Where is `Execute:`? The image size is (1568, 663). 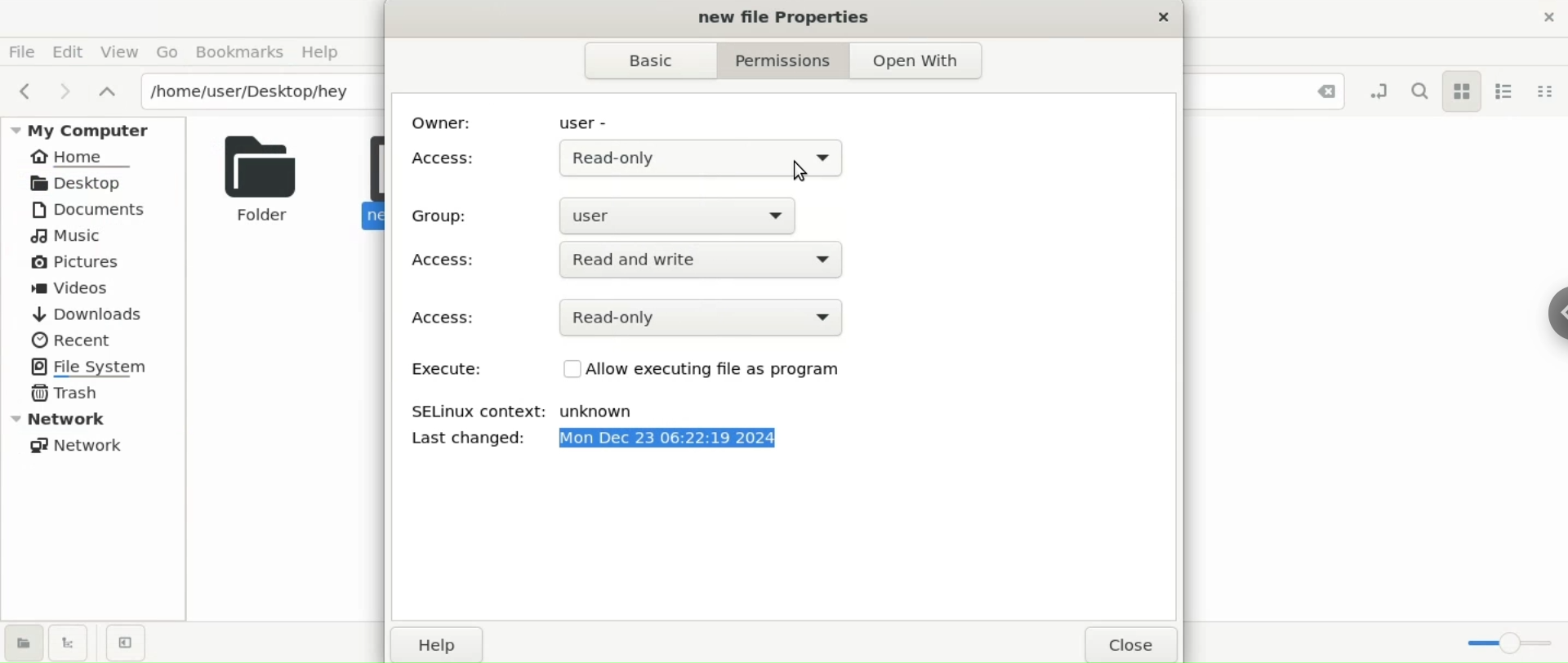
Execute: is located at coordinates (442, 371).